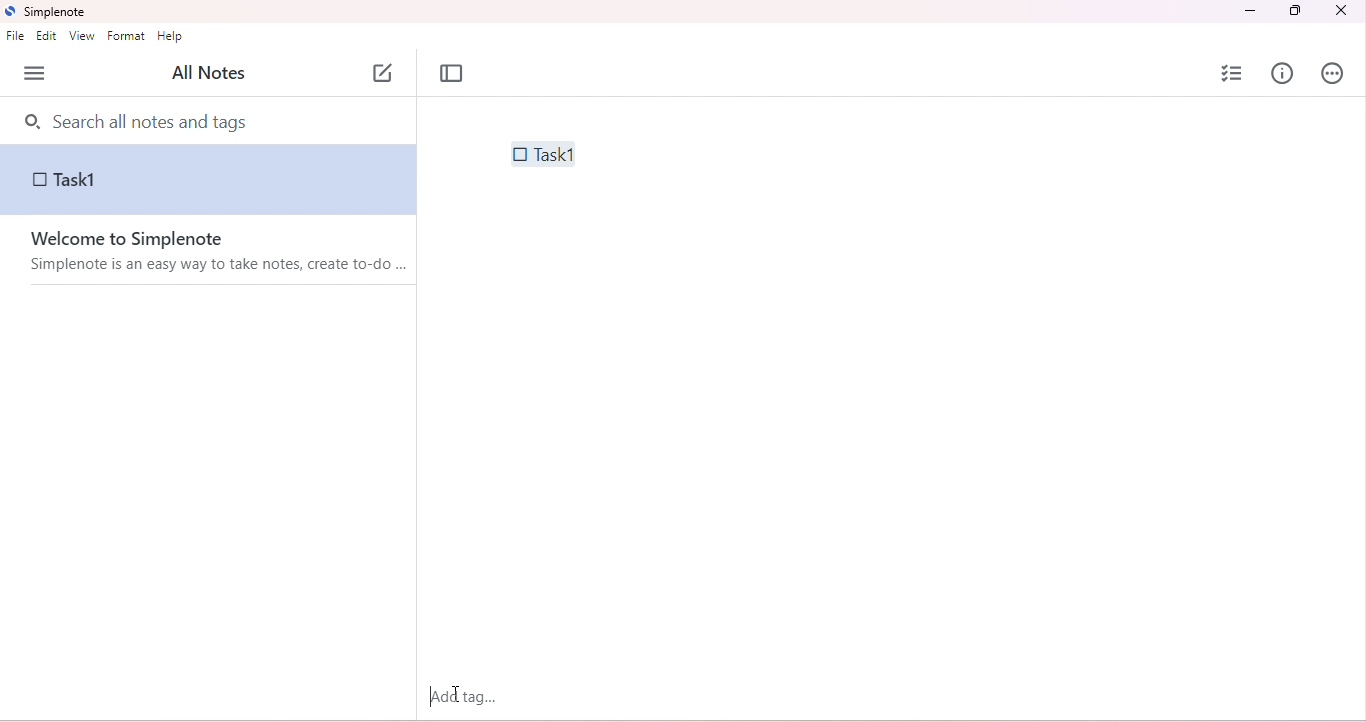  What do you see at coordinates (1333, 75) in the screenshot?
I see `actions` at bounding box center [1333, 75].